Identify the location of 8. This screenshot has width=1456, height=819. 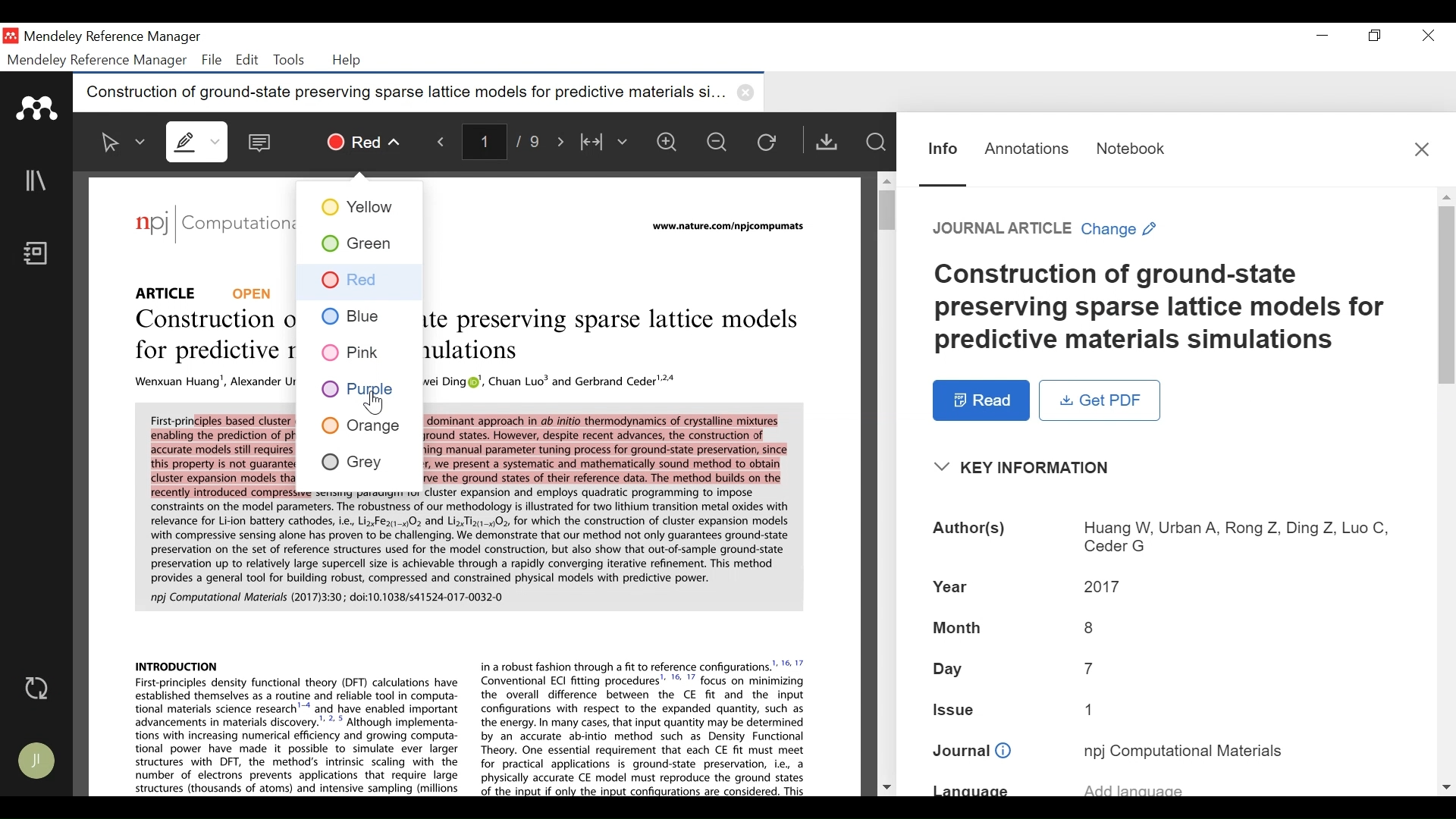
(1089, 629).